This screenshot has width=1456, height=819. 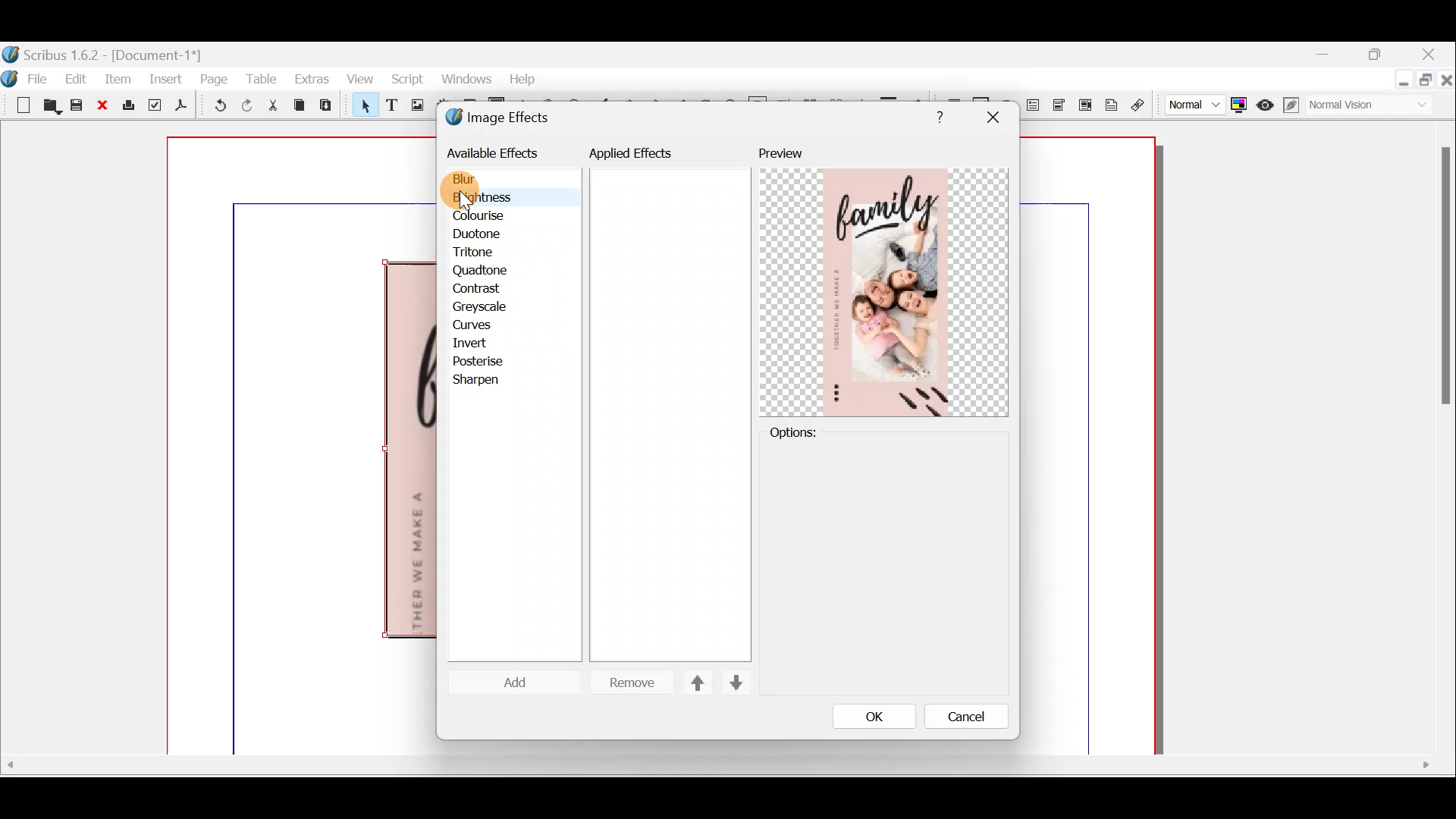 I want to click on cursor, so click(x=466, y=198).